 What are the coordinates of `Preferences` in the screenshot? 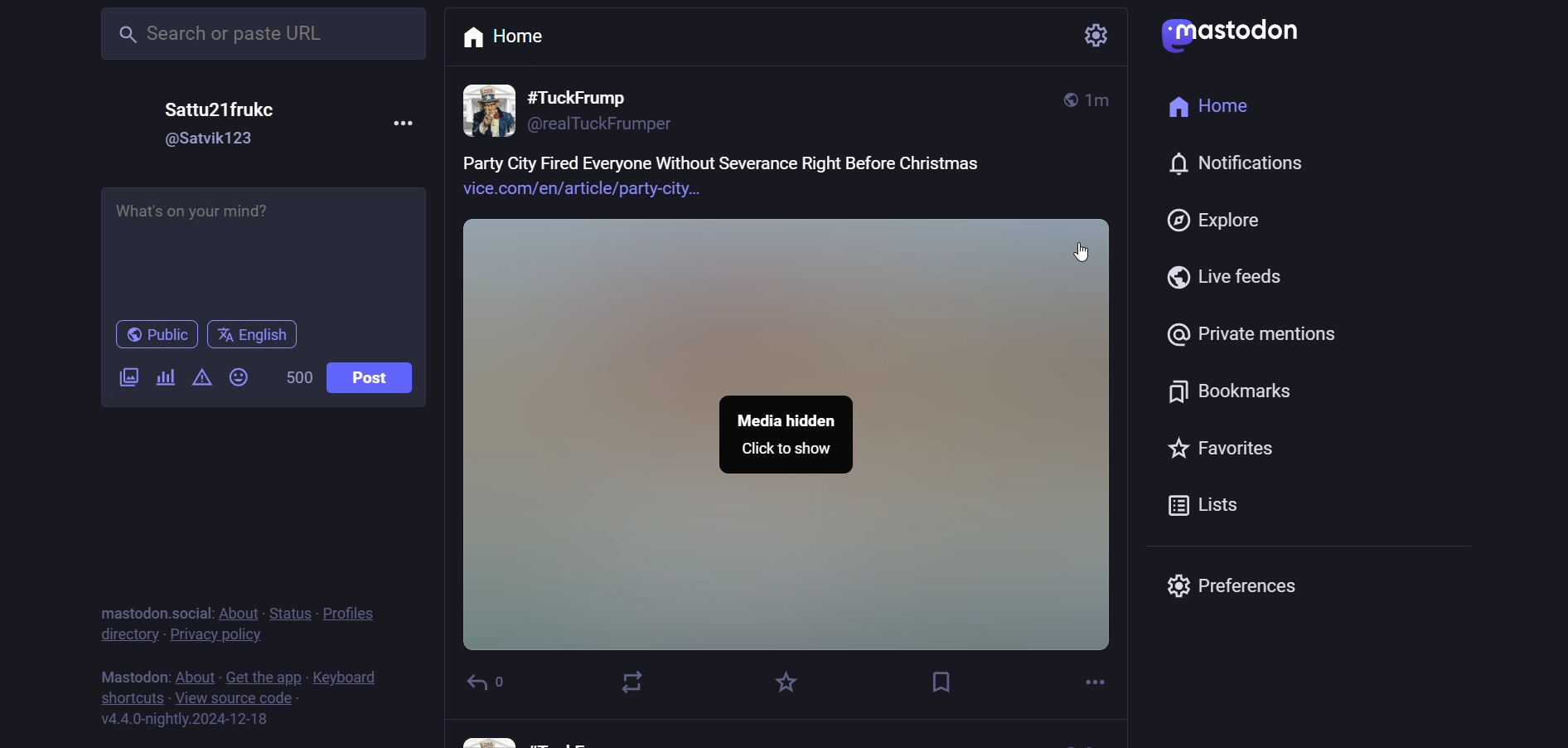 It's located at (1233, 591).